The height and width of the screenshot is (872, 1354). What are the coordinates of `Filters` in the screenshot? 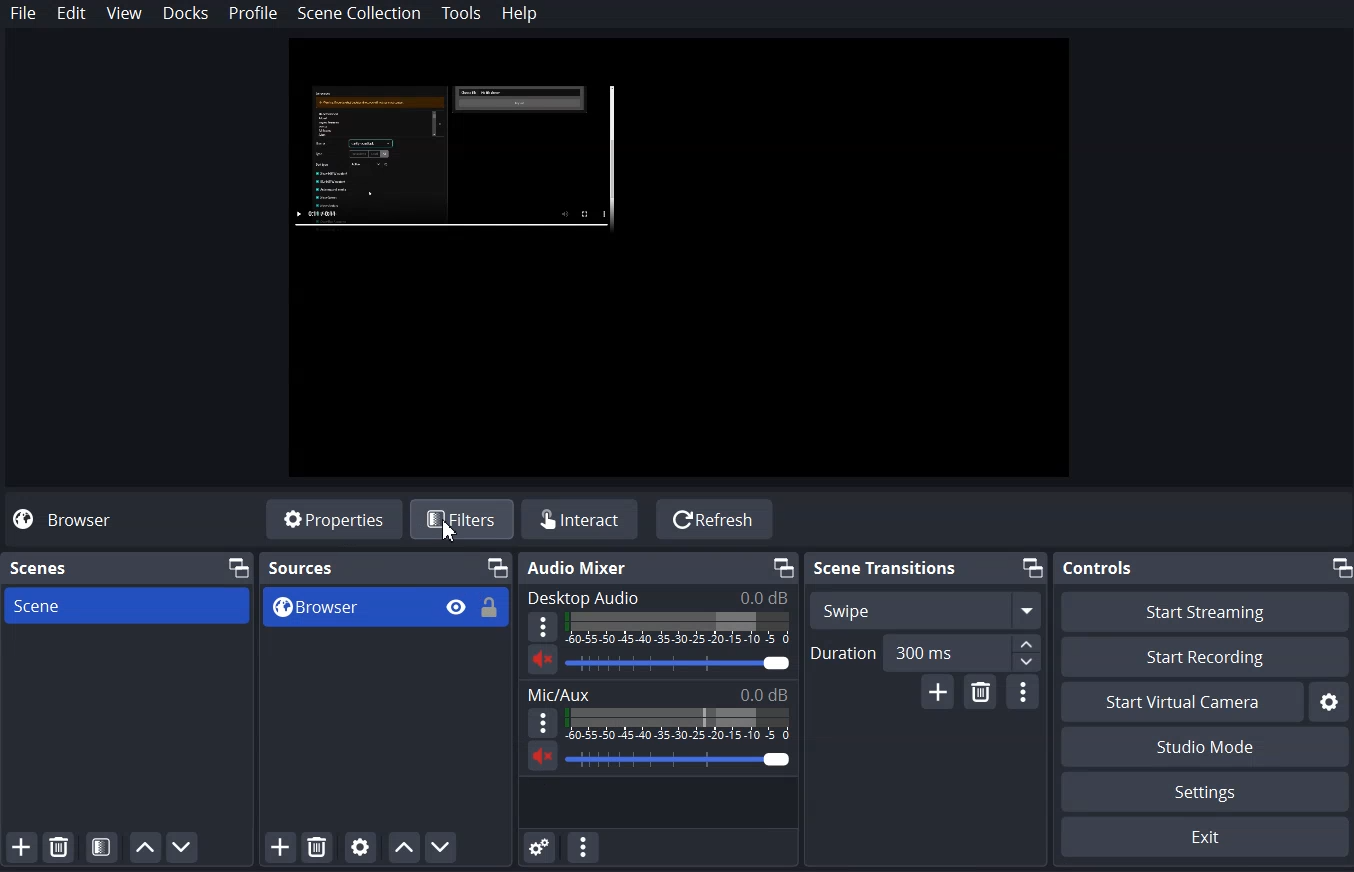 It's located at (461, 520).